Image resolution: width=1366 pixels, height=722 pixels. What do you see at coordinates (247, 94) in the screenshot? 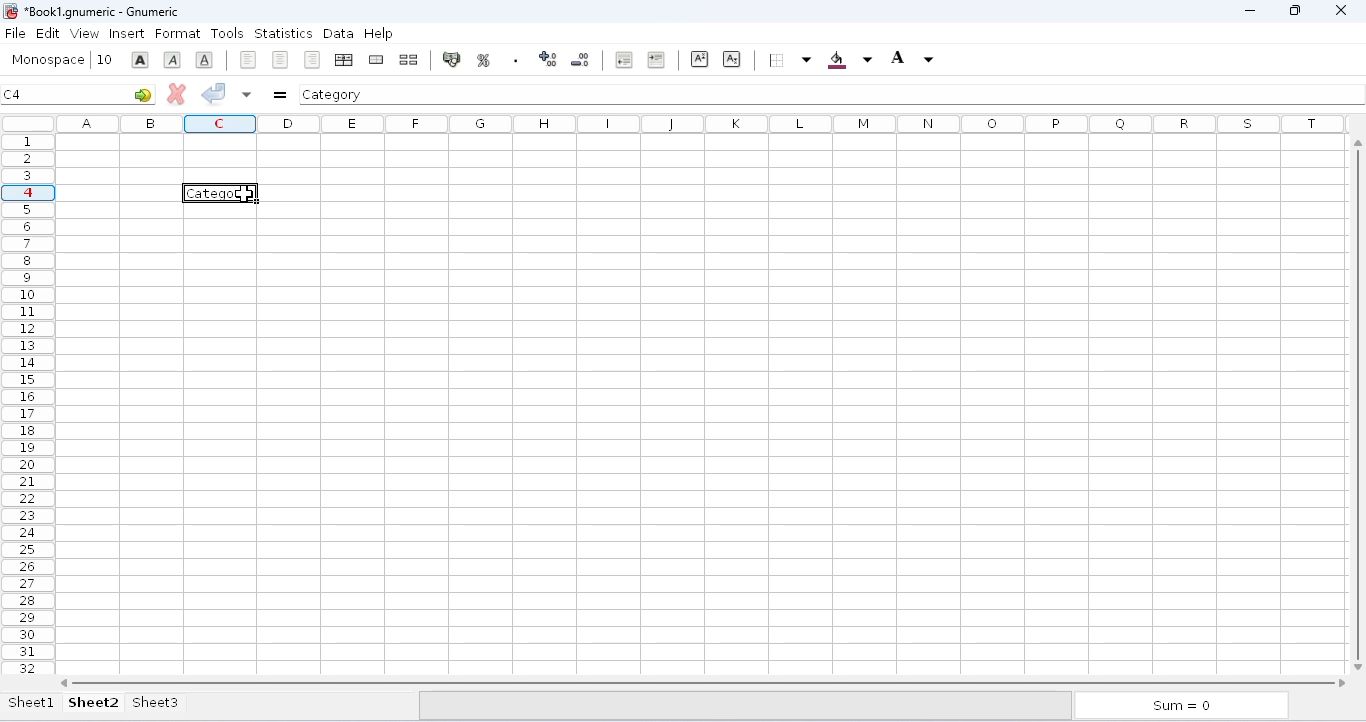
I see `accept changes to multiple cells` at bounding box center [247, 94].